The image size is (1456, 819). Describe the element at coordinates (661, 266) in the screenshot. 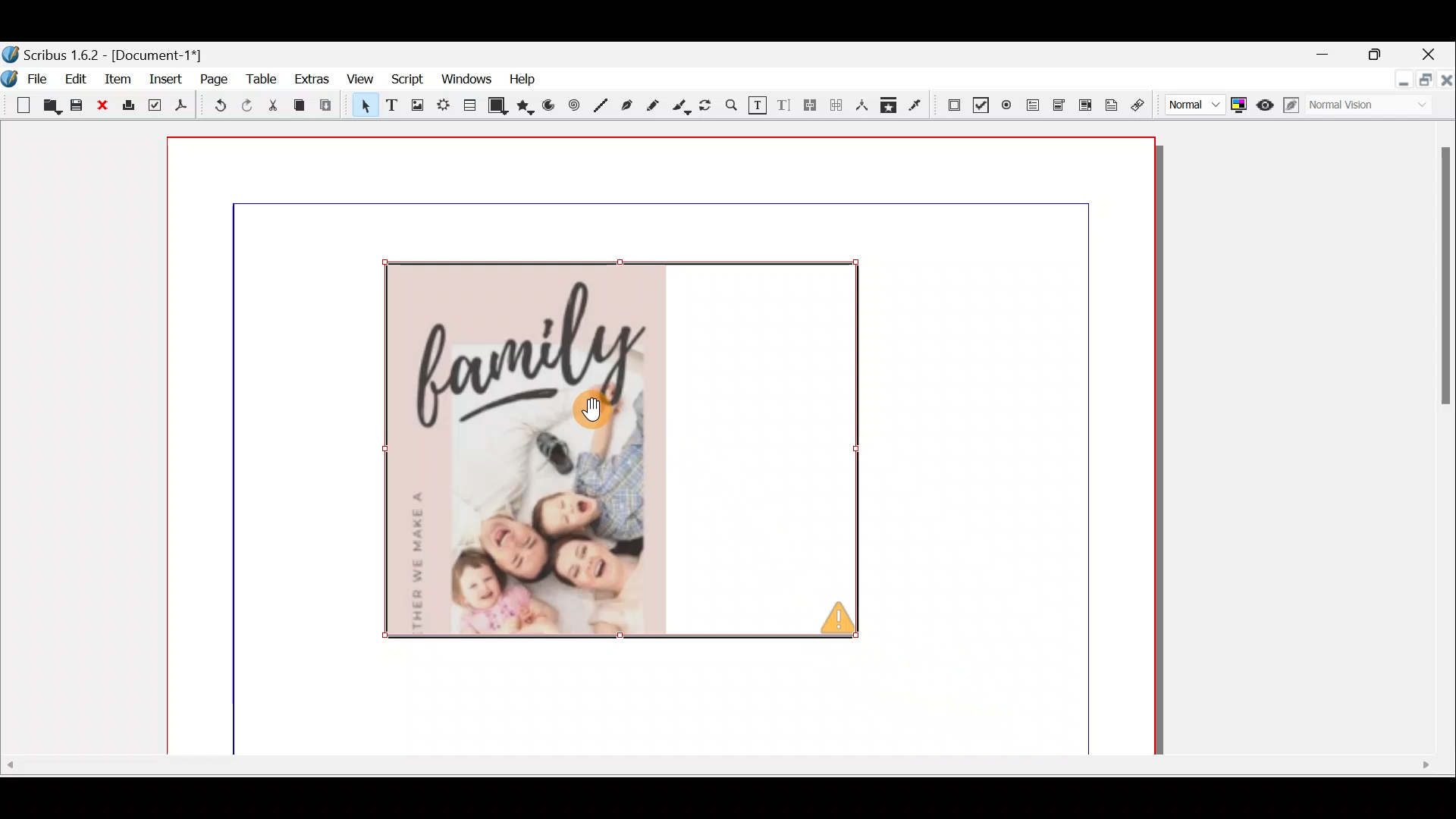

I see `canvas` at that location.